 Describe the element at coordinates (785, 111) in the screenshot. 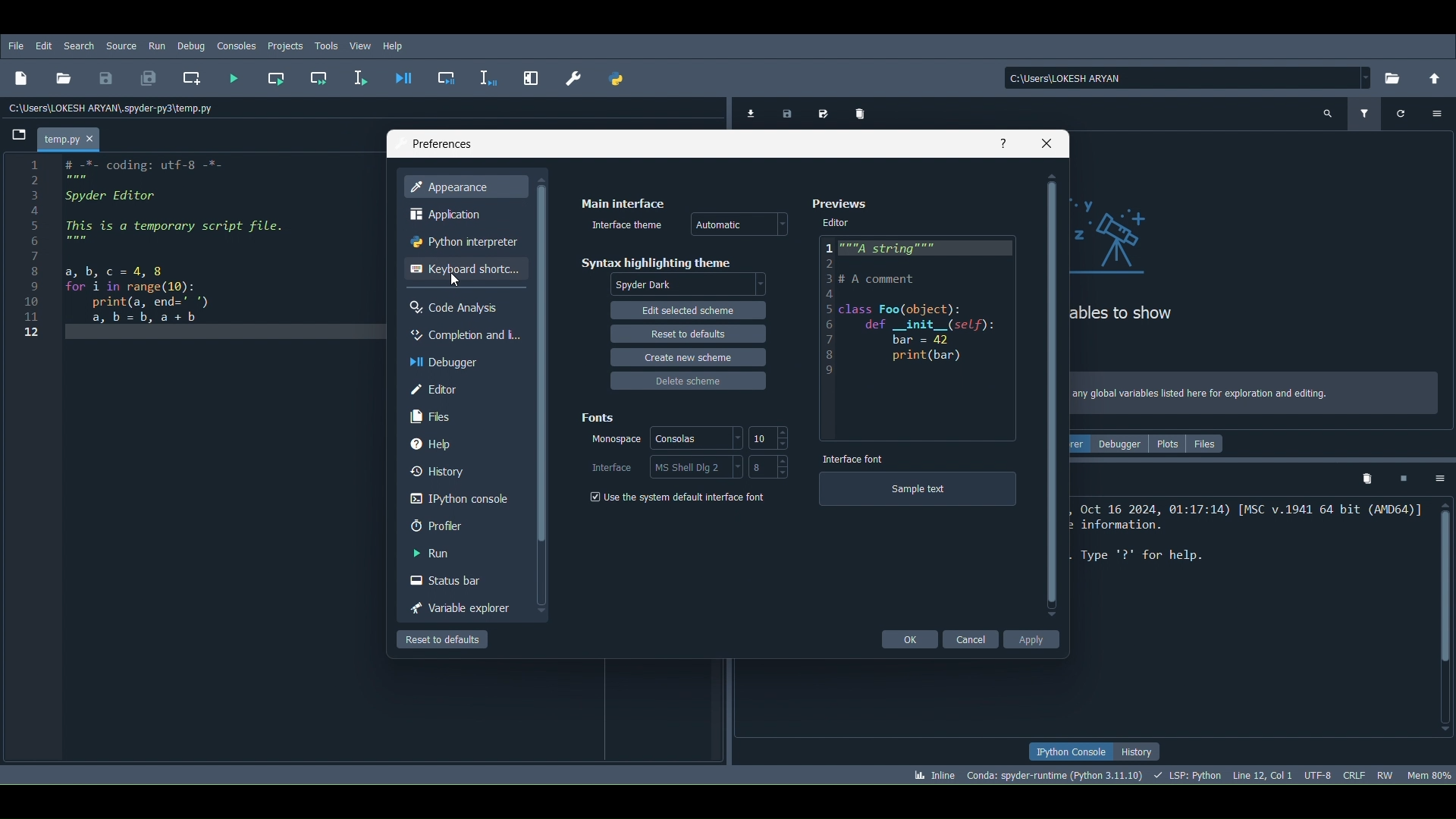

I see `Save data` at that location.